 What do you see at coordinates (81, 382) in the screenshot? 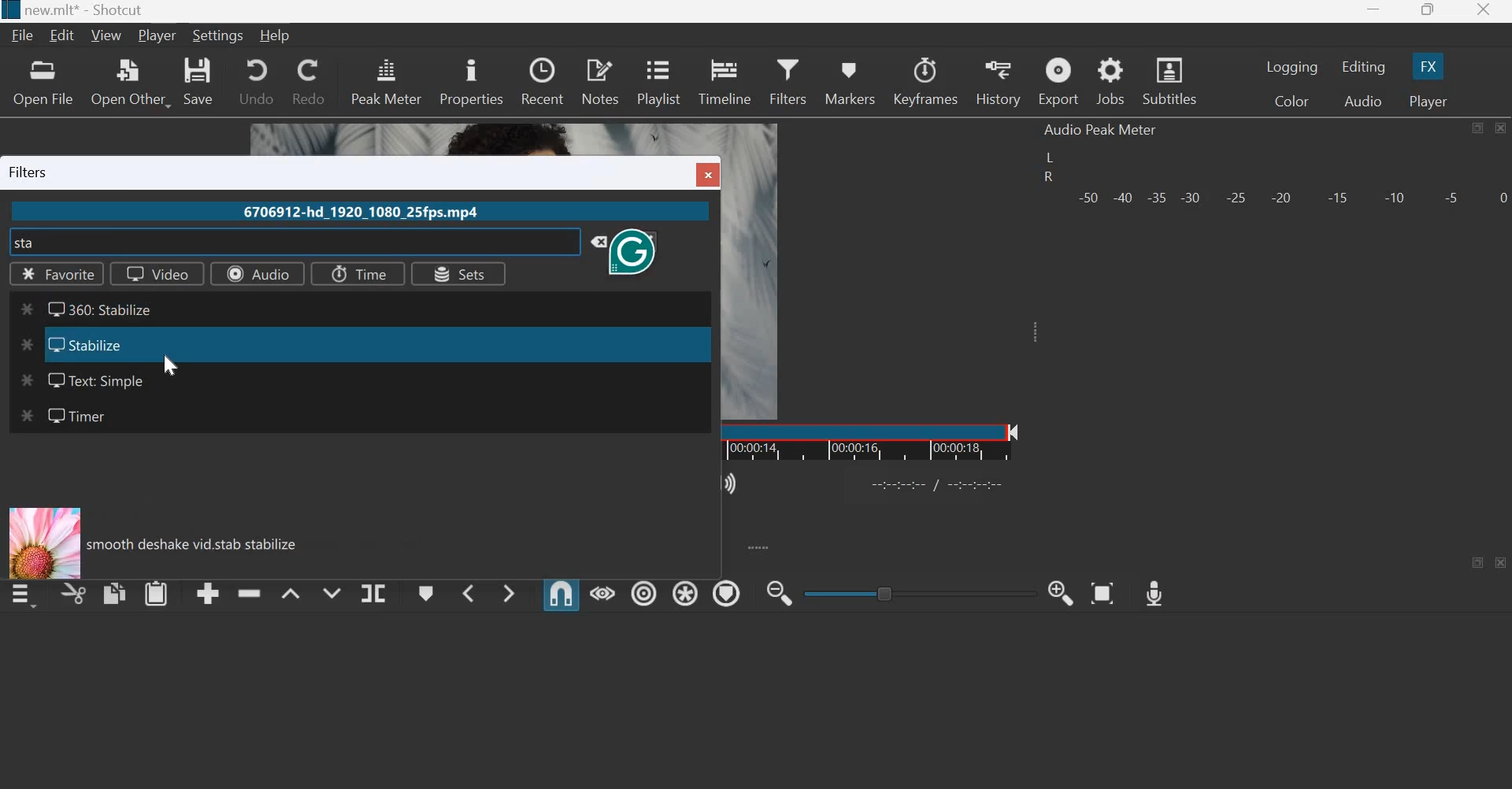
I see `Text: Simple` at bounding box center [81, 382].